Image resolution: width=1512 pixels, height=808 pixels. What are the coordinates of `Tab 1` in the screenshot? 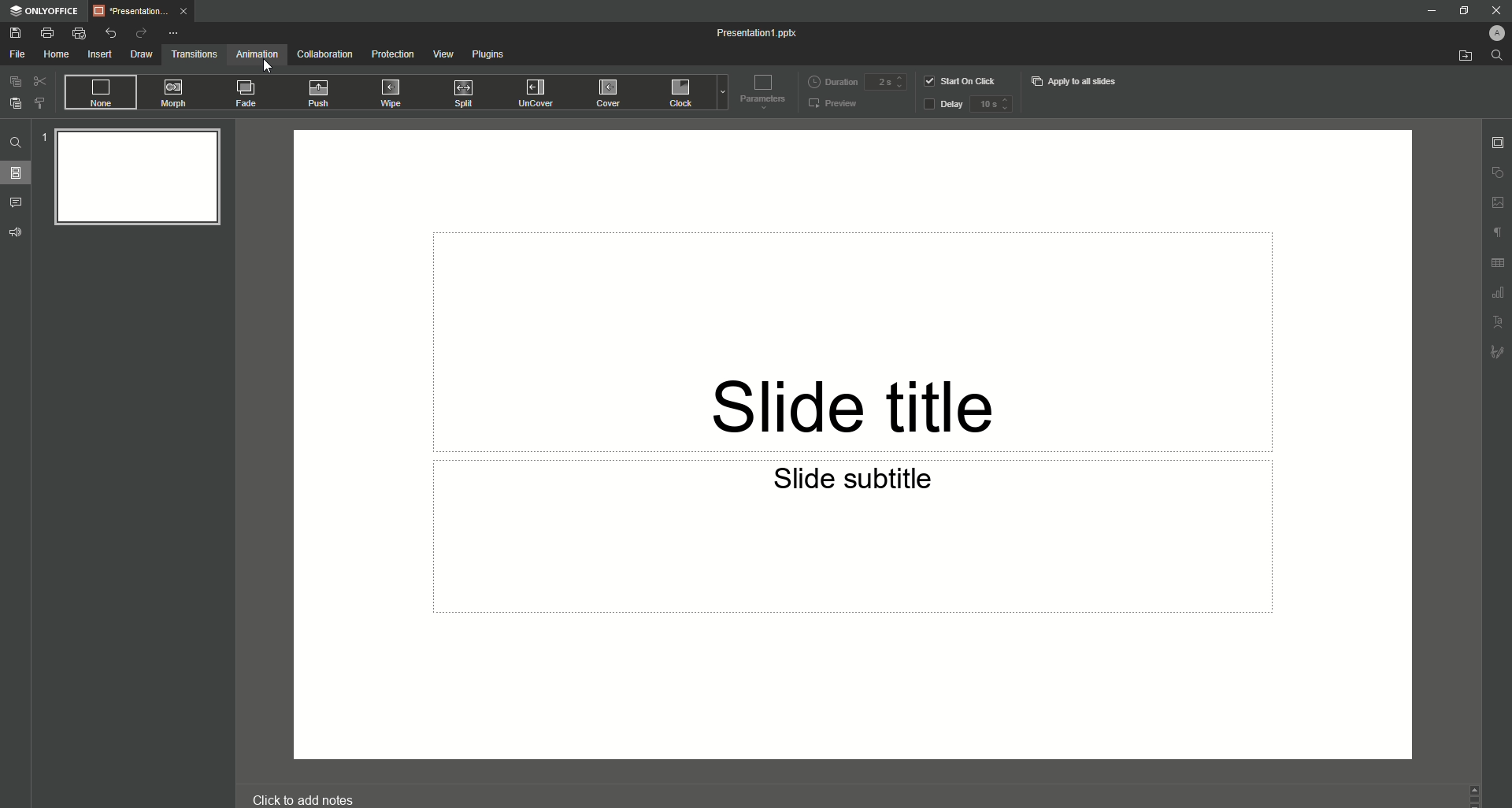 It's located at (139, 12).